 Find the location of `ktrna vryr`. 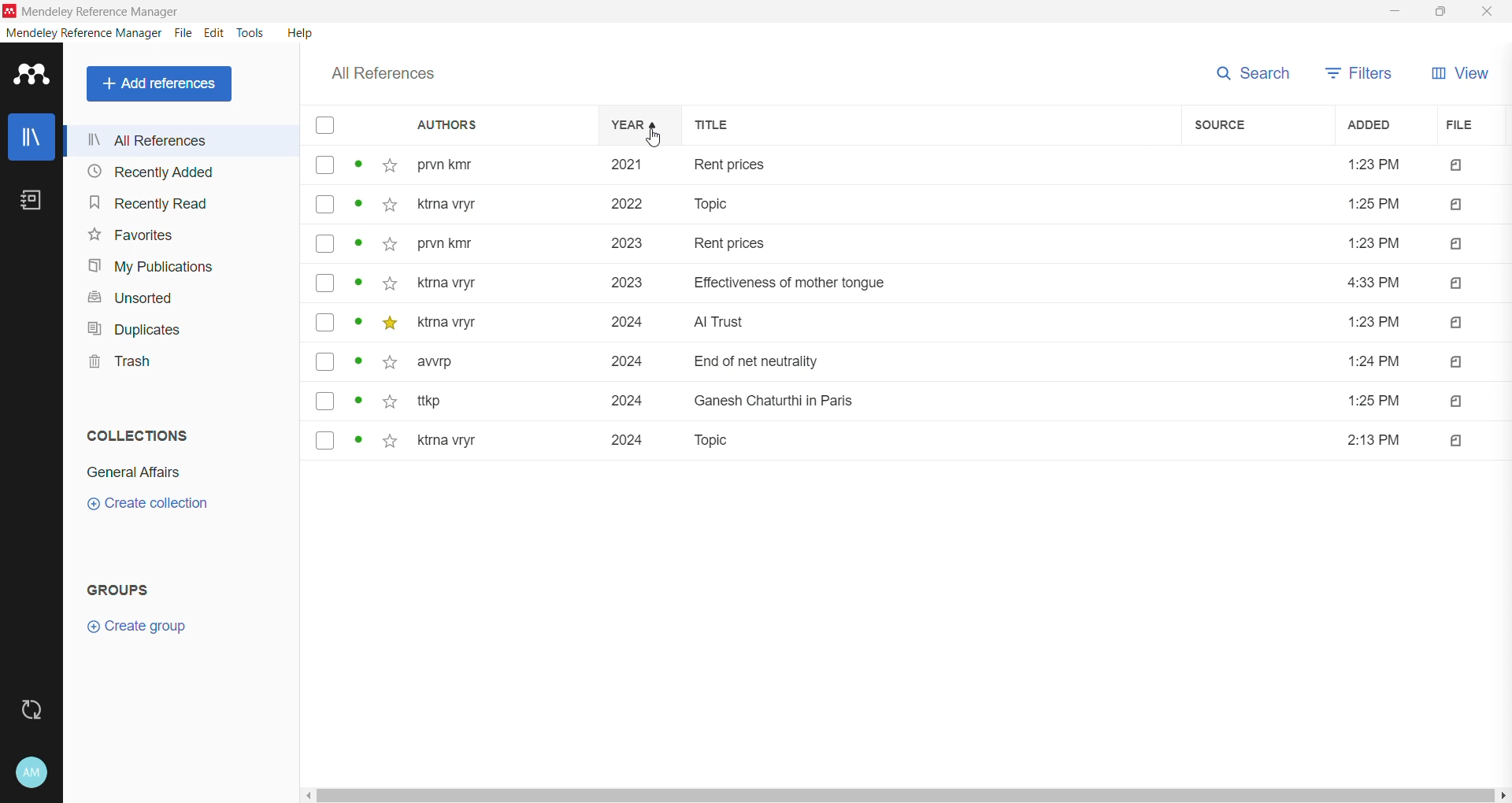

ktrna vryr is located at coordinates (448, 324).